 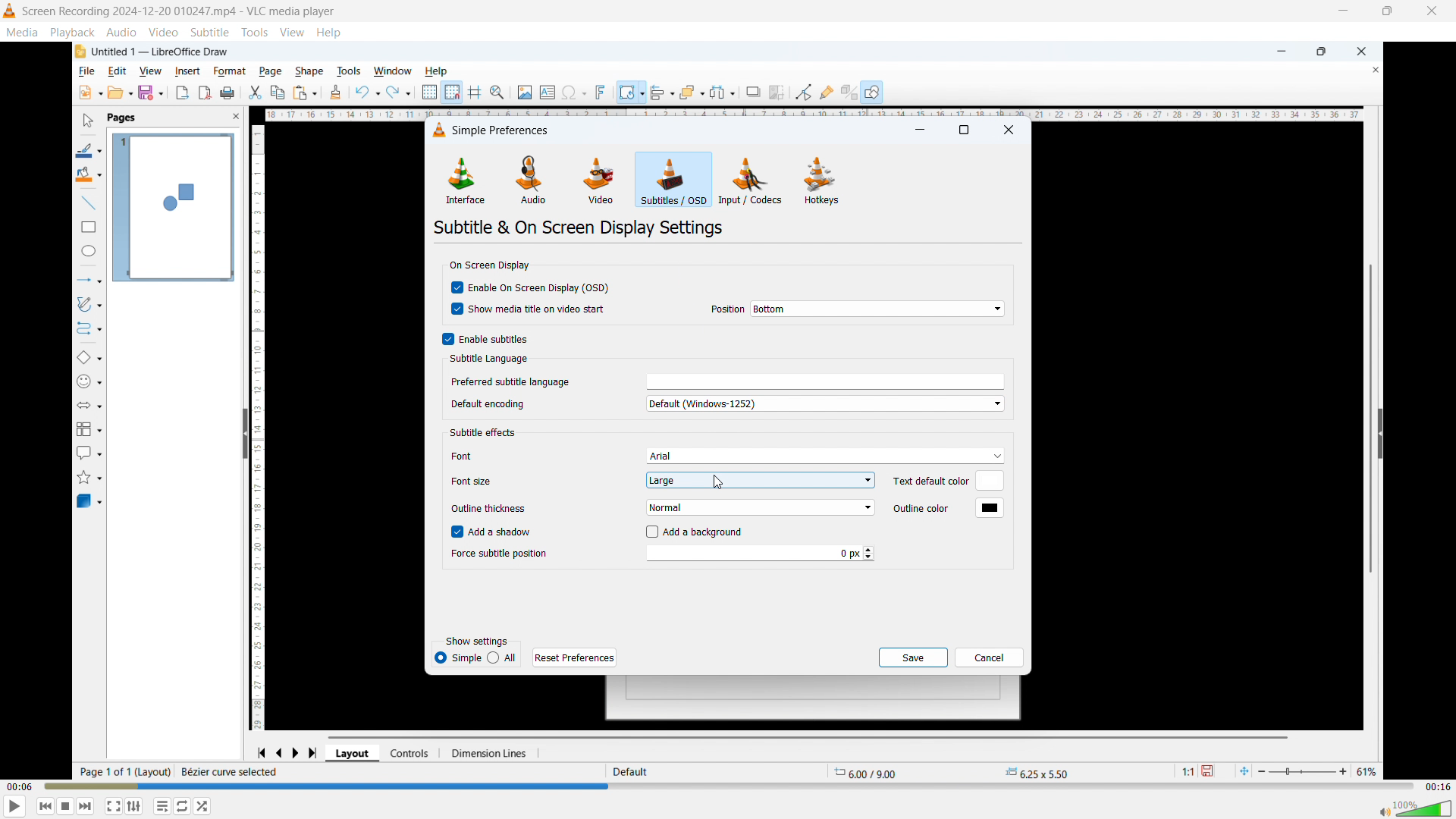 I want to click on Time bar , so click(x=730, y=785).